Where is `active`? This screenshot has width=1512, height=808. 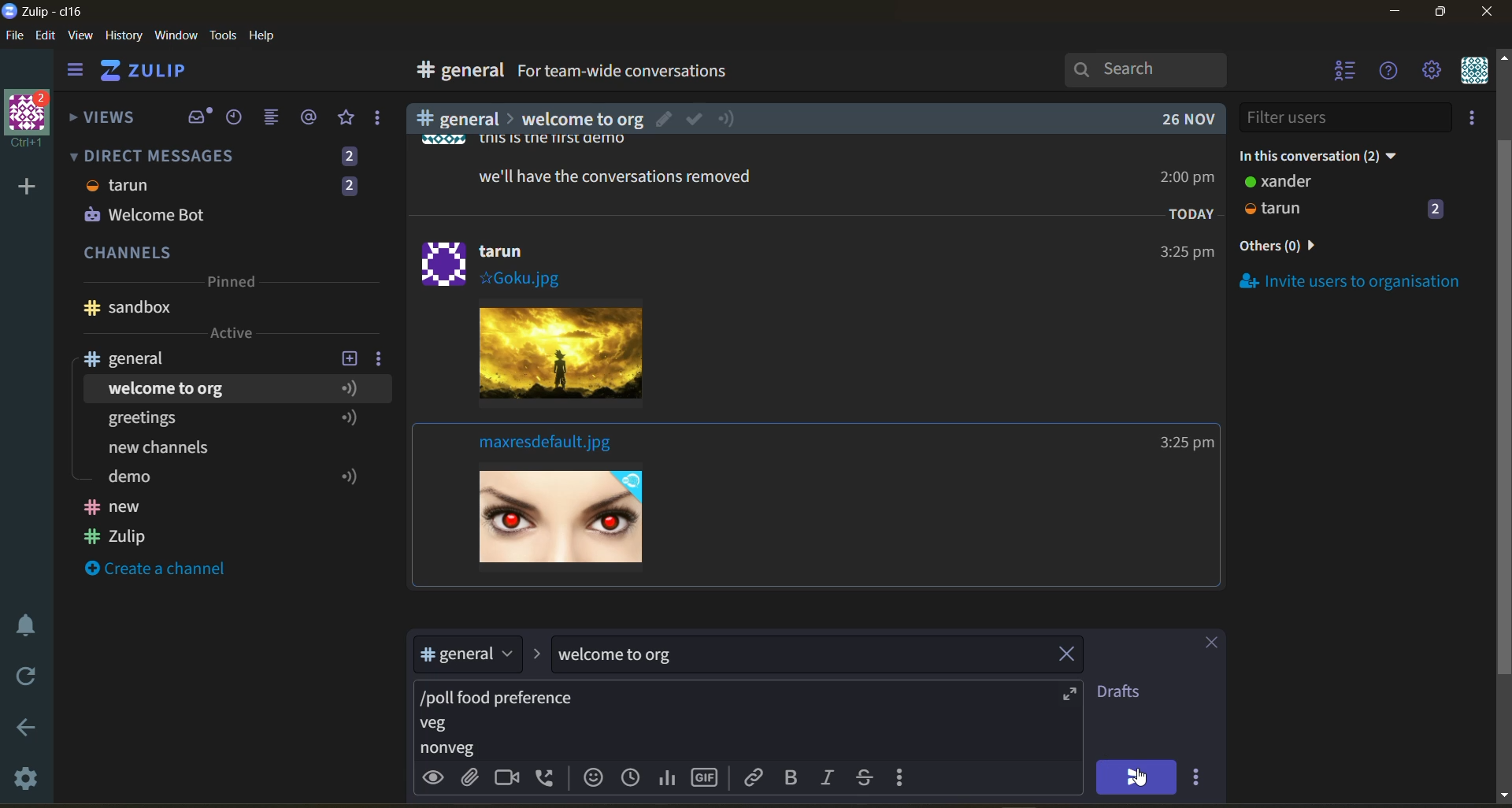
active is located at coordinates (233, 333).